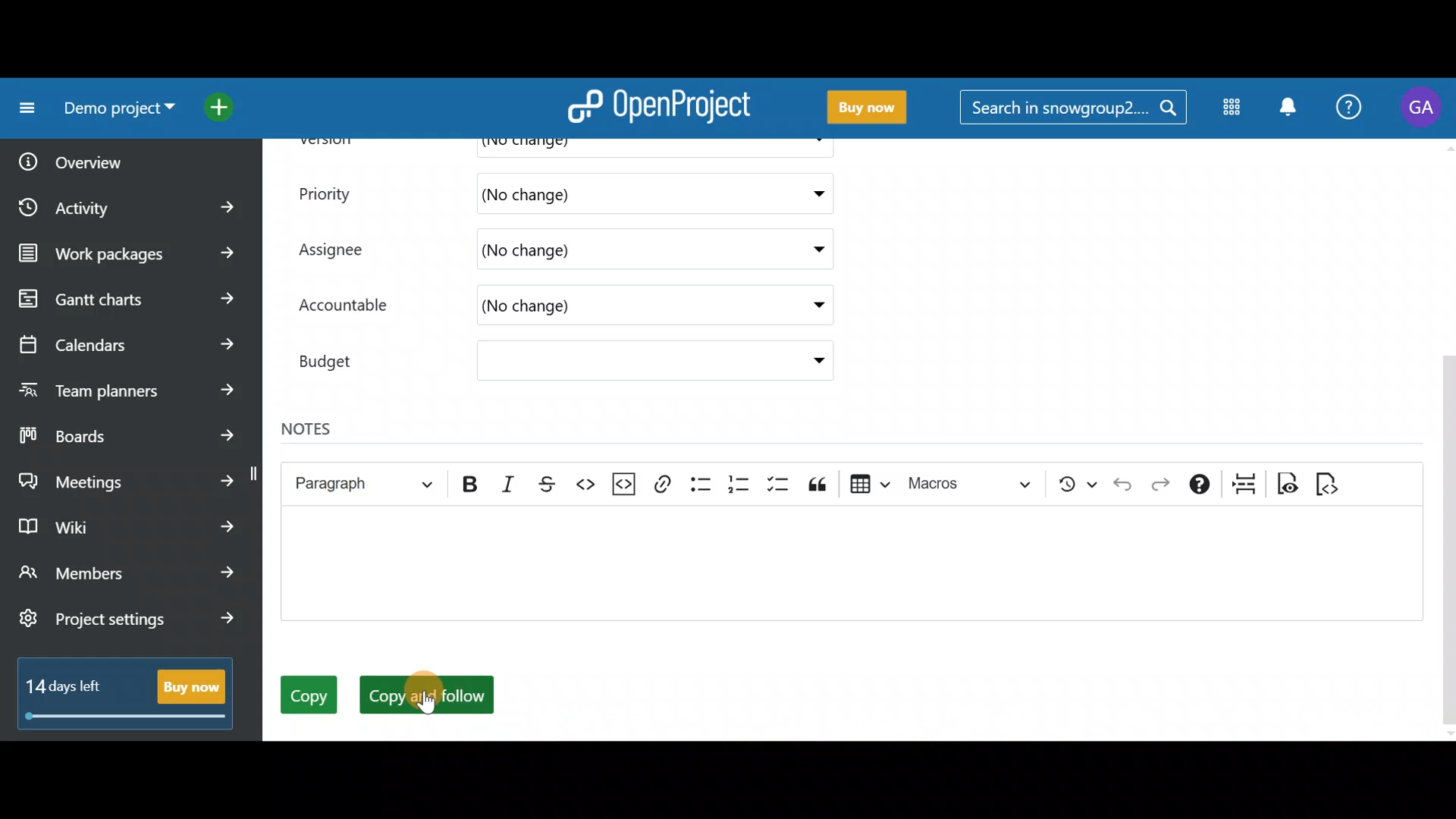 The image size is (1456, 819). I want to click on To-do list, so click(780, 487).